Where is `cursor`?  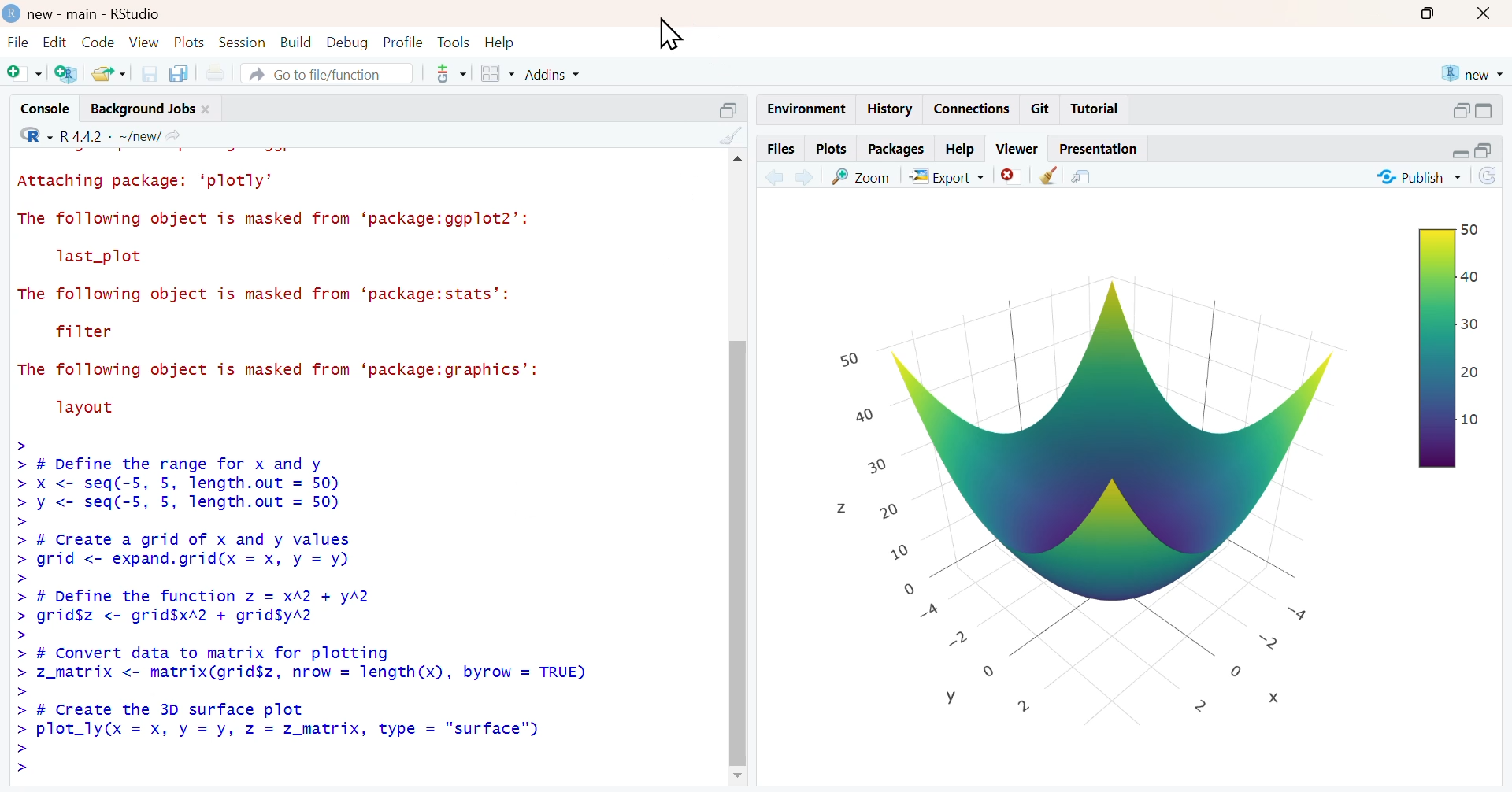 cursor is located at coordinates (673, 36).